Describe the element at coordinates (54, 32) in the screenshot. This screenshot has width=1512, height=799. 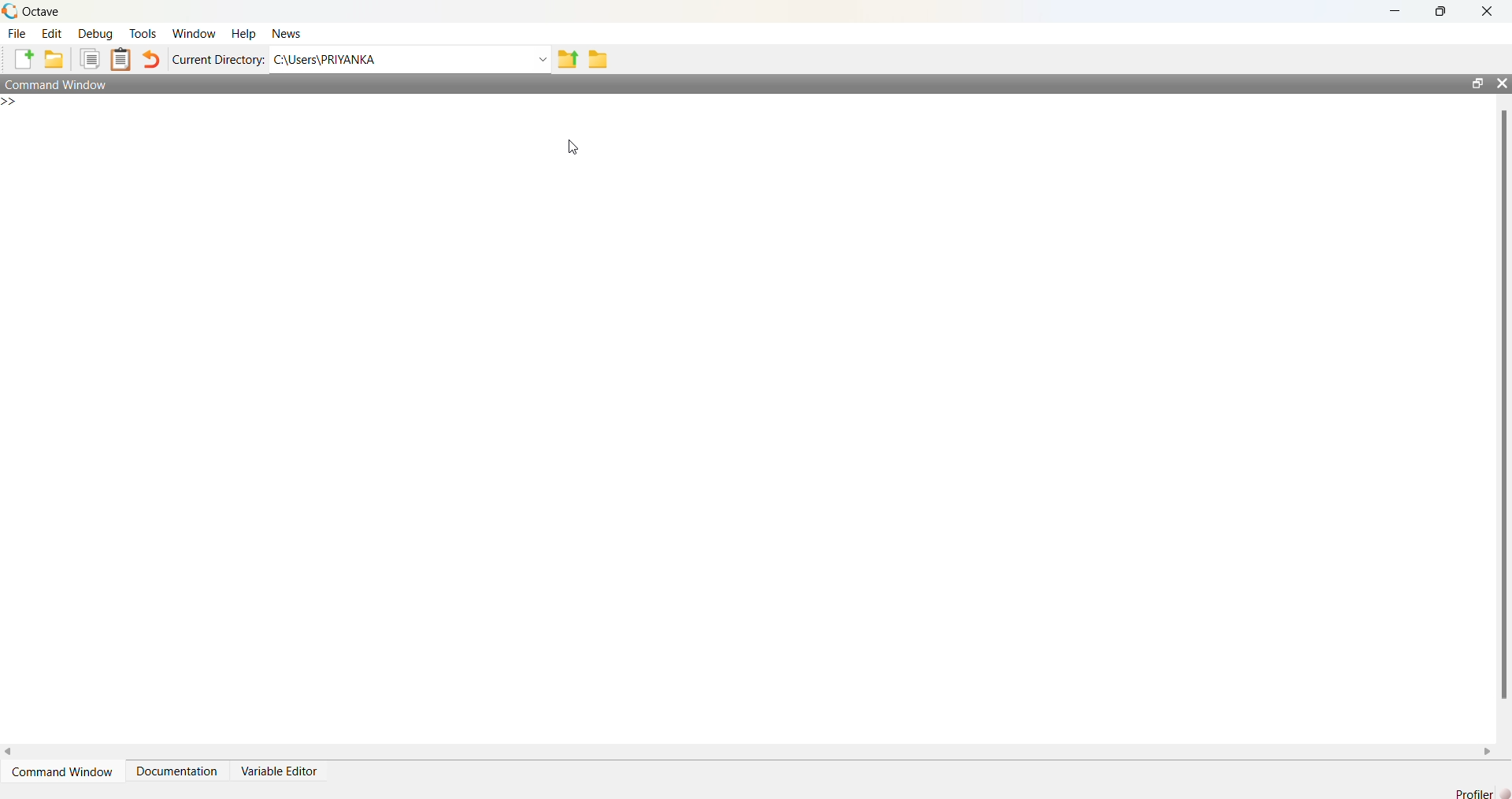
I see `Edit` at that location.